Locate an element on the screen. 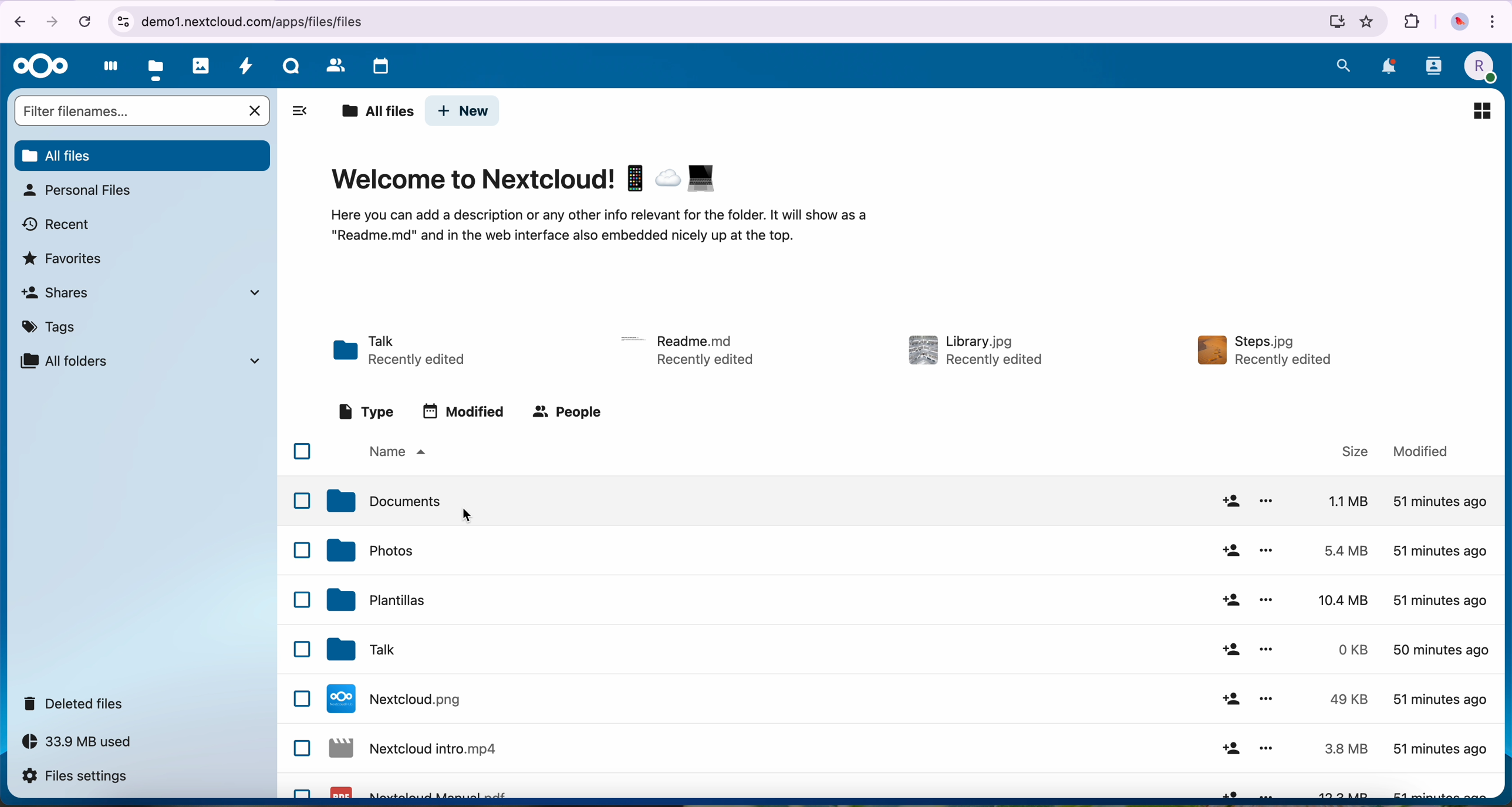 This screenshot has height=807, width=1512. people is located at coordinates (572, 410).